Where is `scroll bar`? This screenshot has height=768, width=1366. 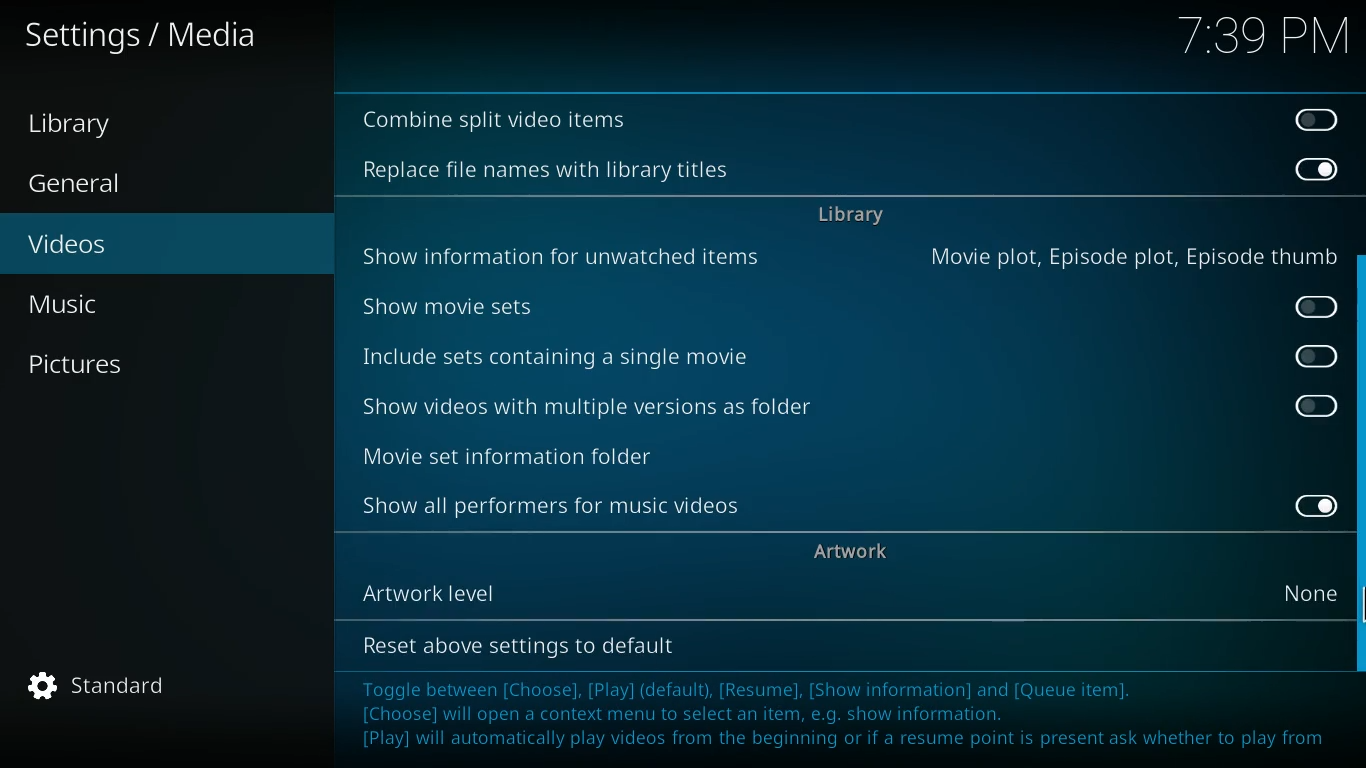
scroll bar is located at coordinates (1359, 463).